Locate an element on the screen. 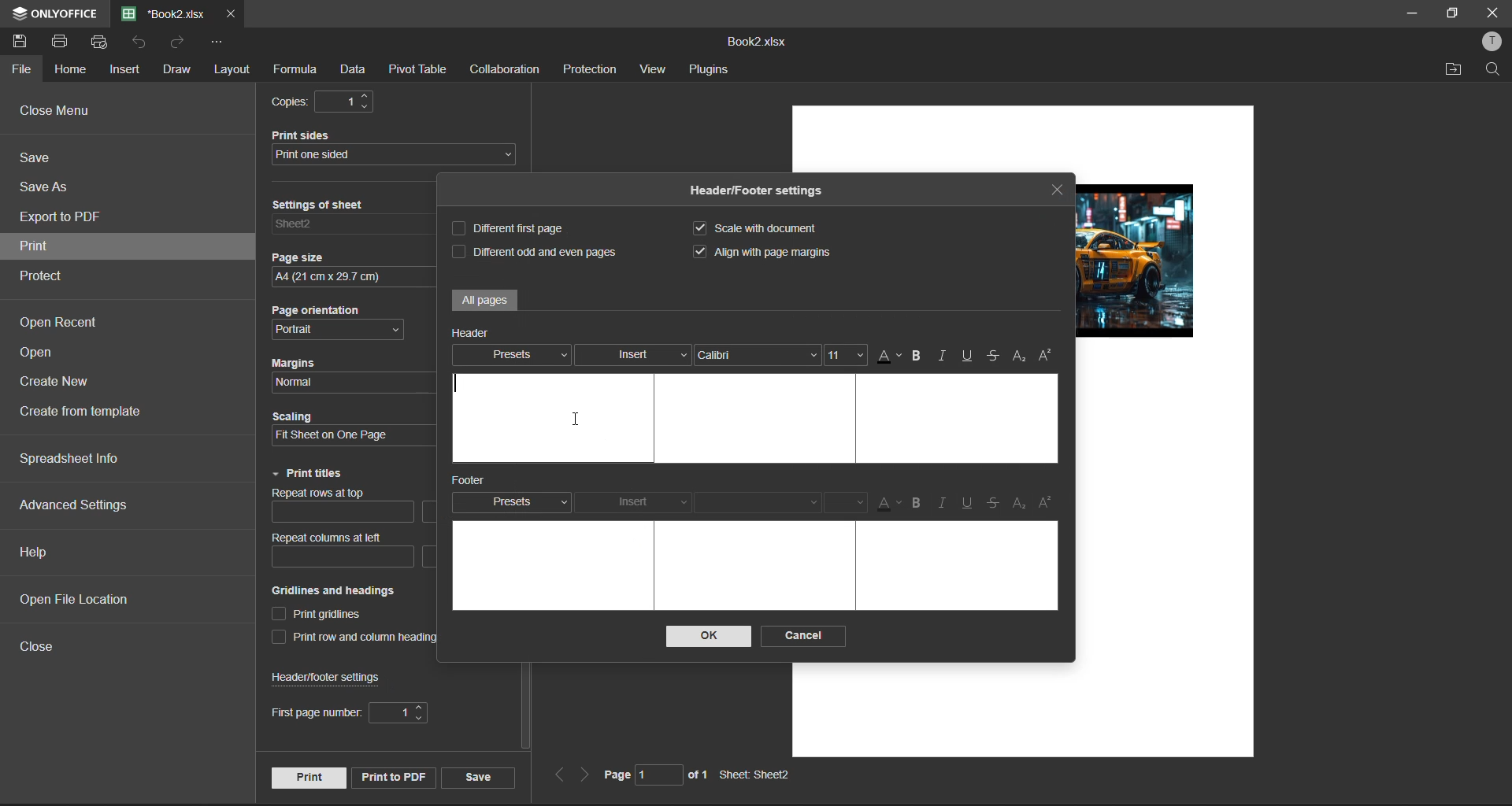  profile is located at coordinates (1488, 43).